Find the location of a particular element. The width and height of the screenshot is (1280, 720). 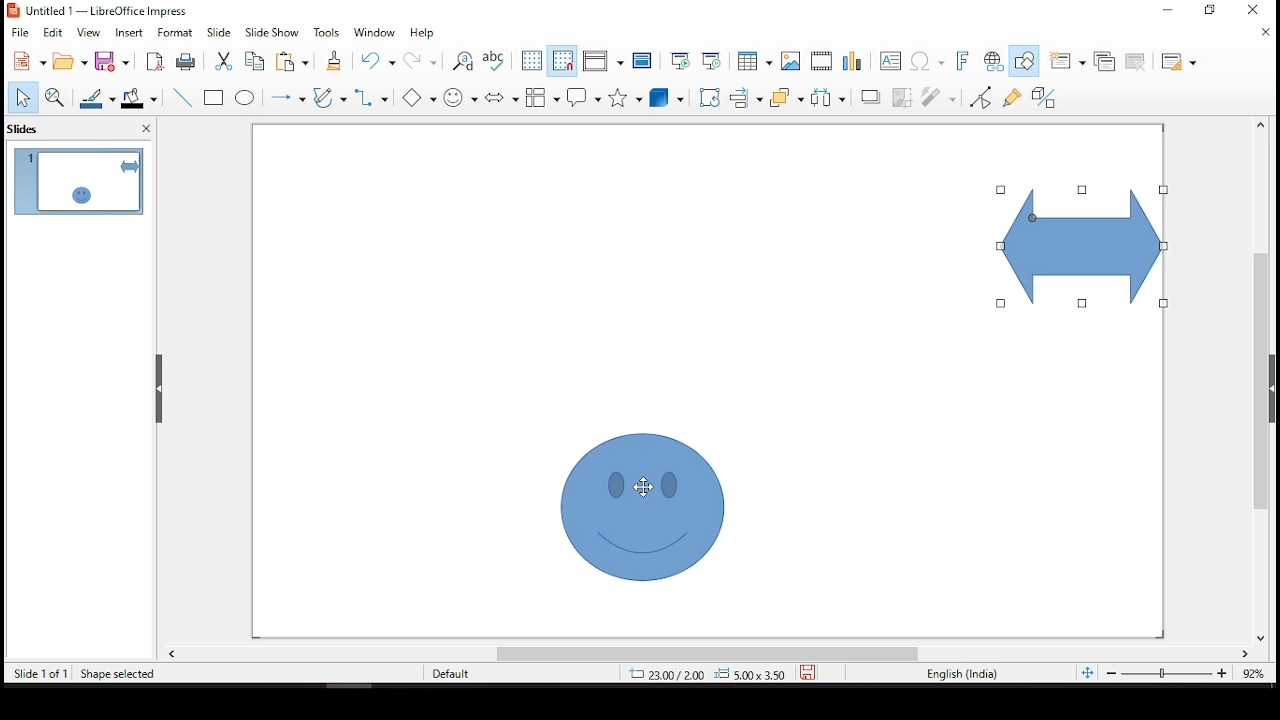

shape is located at coordinates (637, 506).